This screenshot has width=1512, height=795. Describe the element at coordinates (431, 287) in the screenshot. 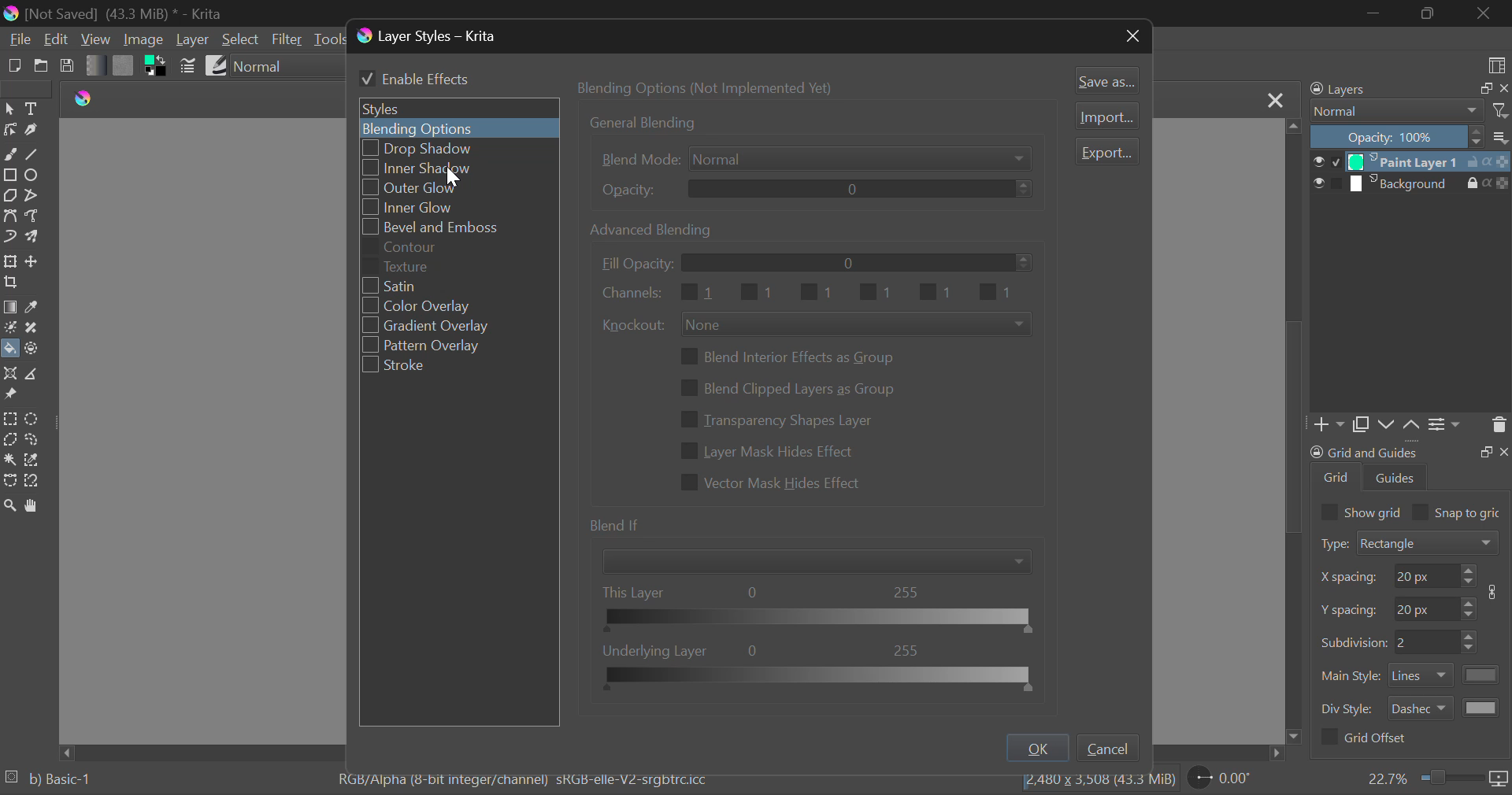

I see `Satin` at that location.